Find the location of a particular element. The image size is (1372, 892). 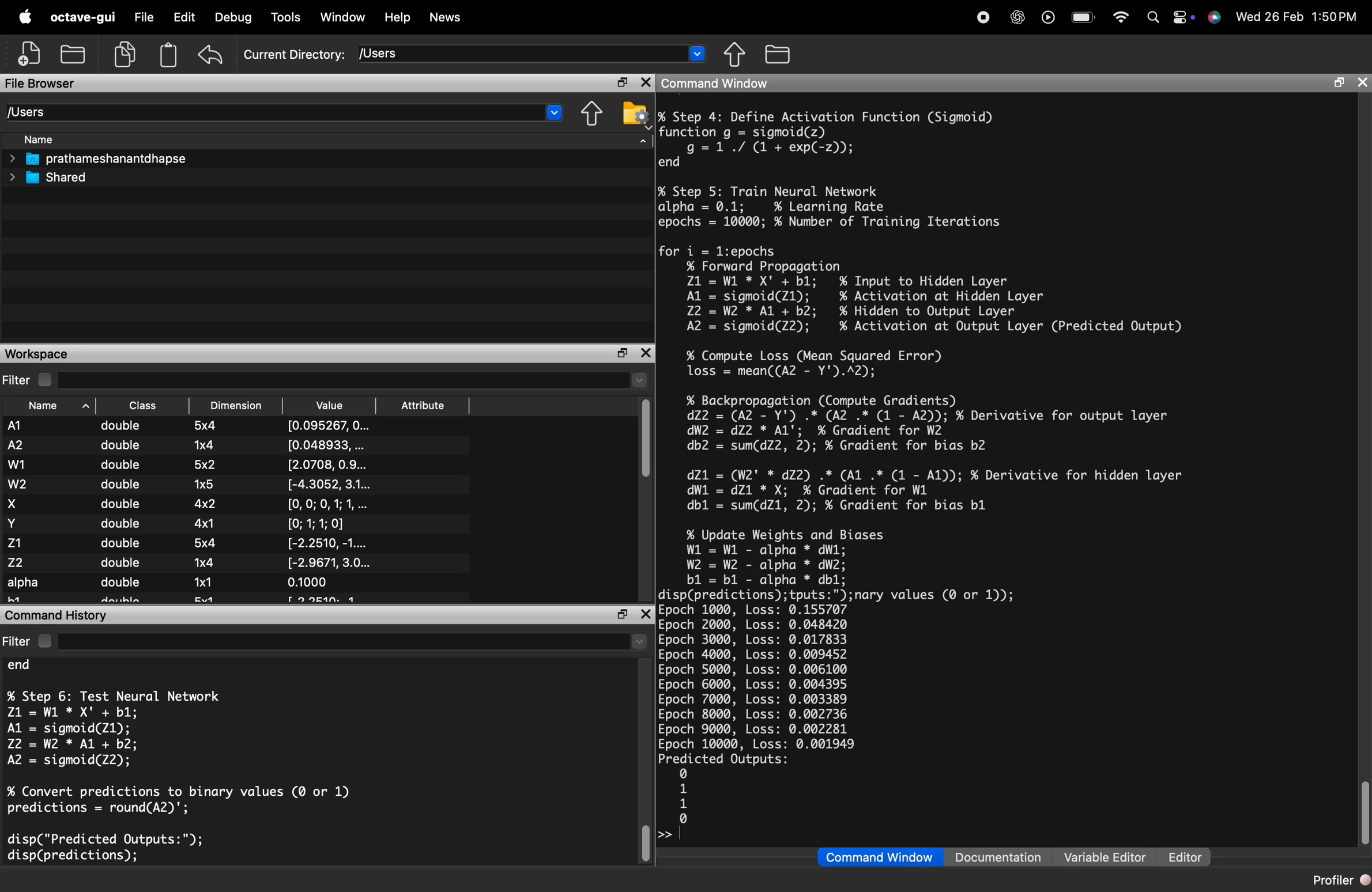

Attribute is located at coordinates (424, 406).